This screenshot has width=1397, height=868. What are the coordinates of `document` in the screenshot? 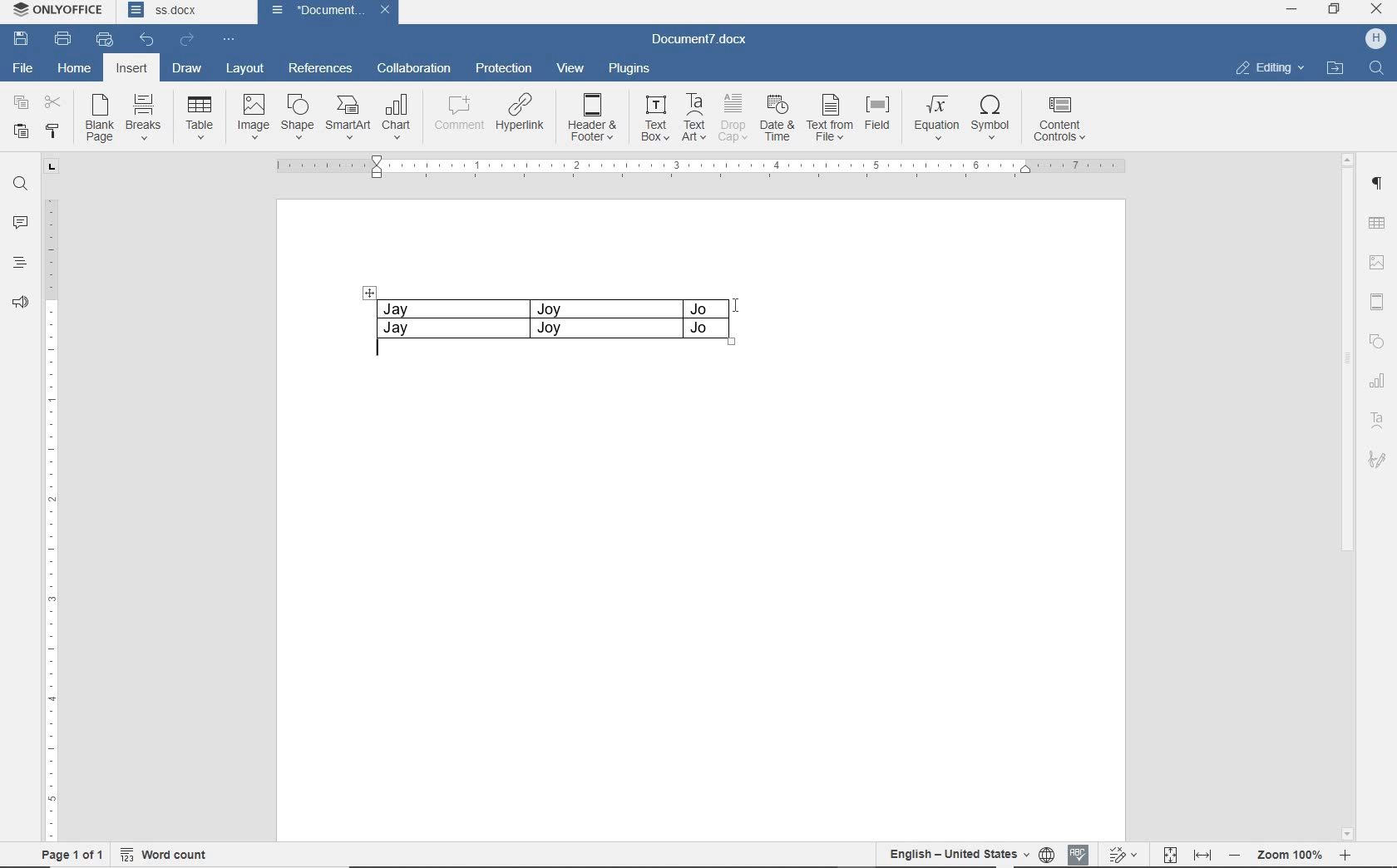 It's located at (310, 11).